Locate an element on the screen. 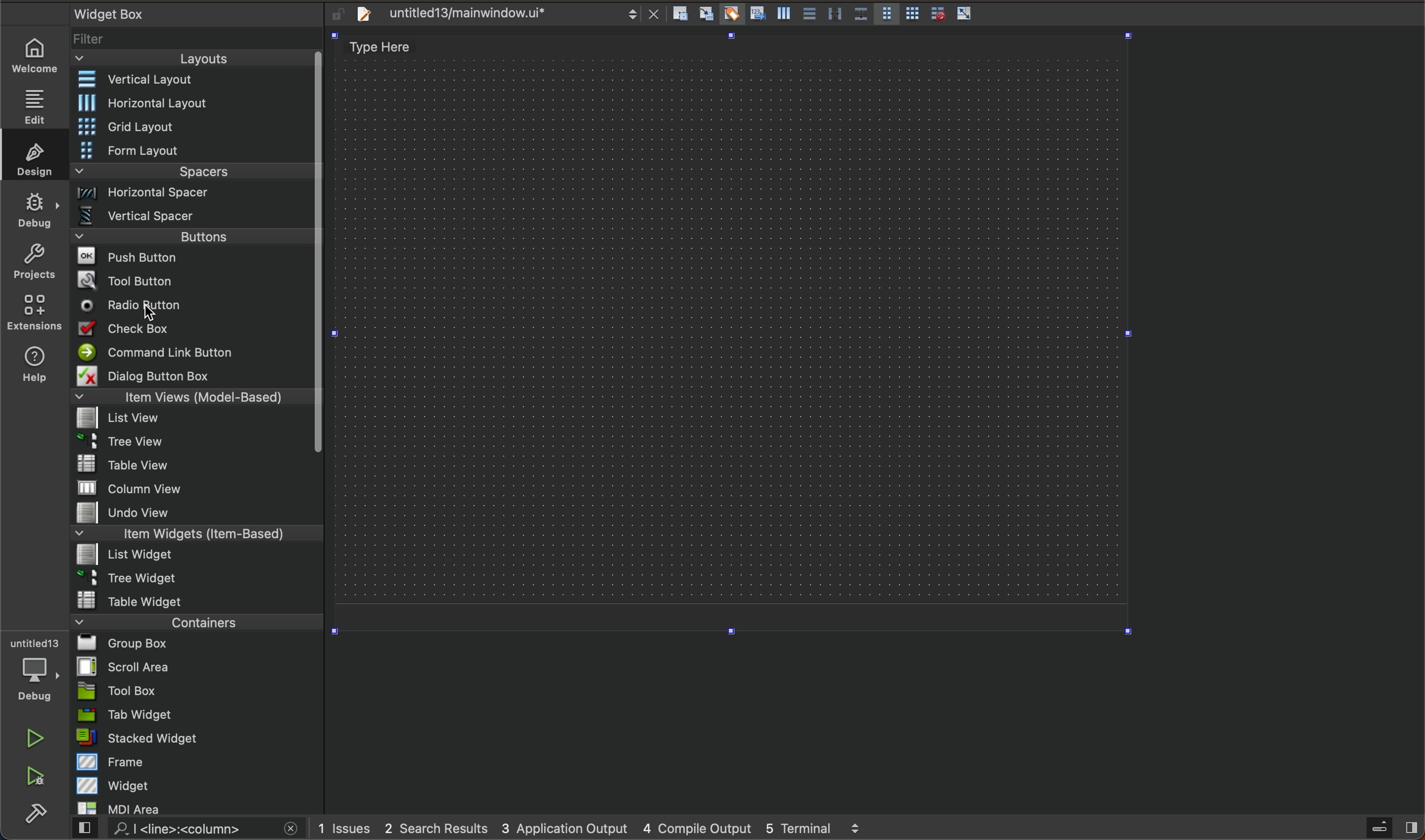 Image resolution: width=1425 pixels, height=840 pixels. item widget is located at coordinates (194, 536).